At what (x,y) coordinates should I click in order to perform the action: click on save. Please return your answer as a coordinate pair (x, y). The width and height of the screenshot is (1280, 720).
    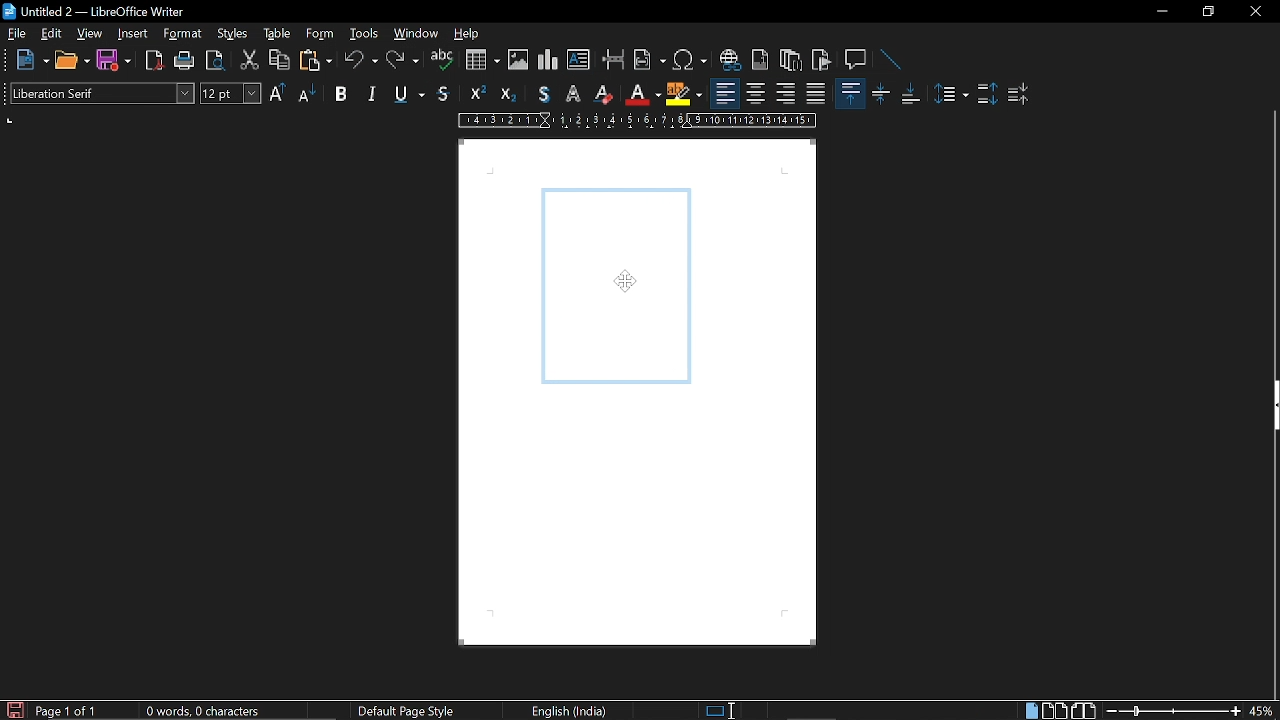
    Looking at the image, I should click on (112, 60).